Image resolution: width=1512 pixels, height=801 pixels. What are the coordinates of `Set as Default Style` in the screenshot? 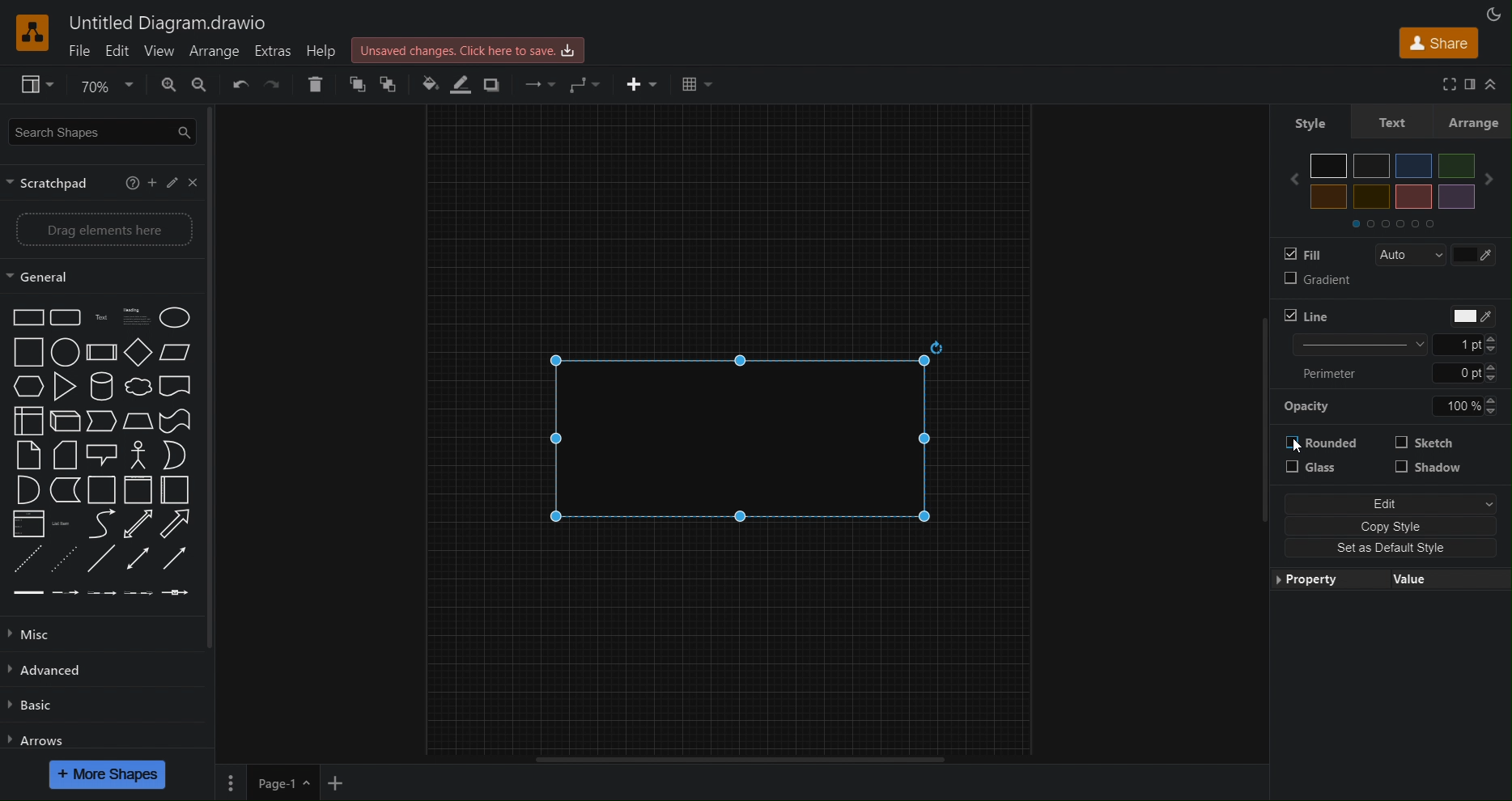 It's located at (1392, 551).